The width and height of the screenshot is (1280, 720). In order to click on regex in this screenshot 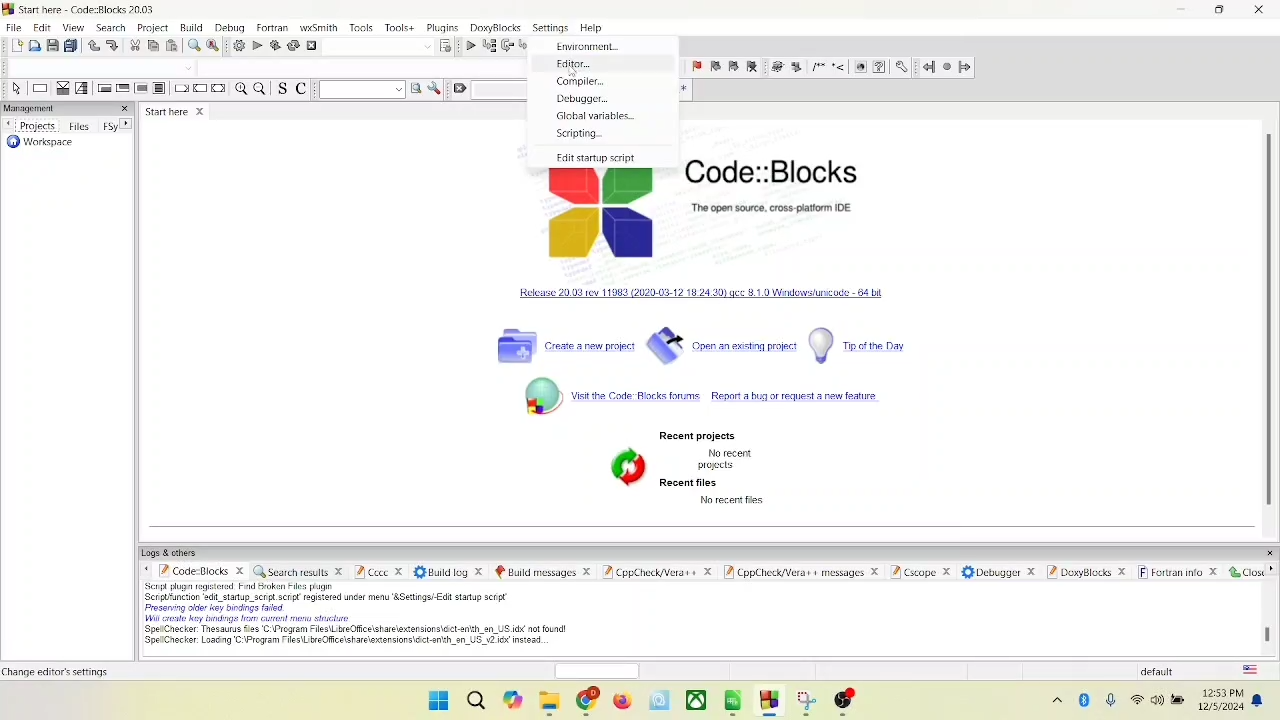, I will do `click(685, 89)`.